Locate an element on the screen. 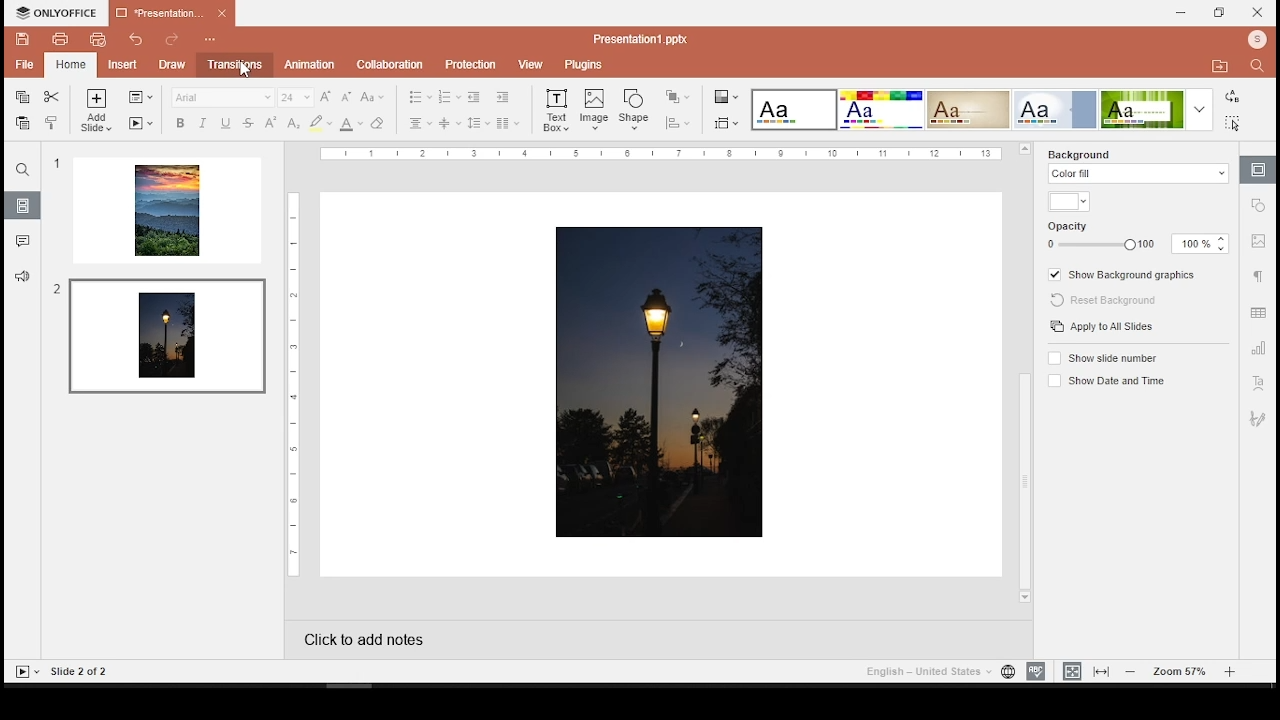  image is located at coordinates (662, 383).